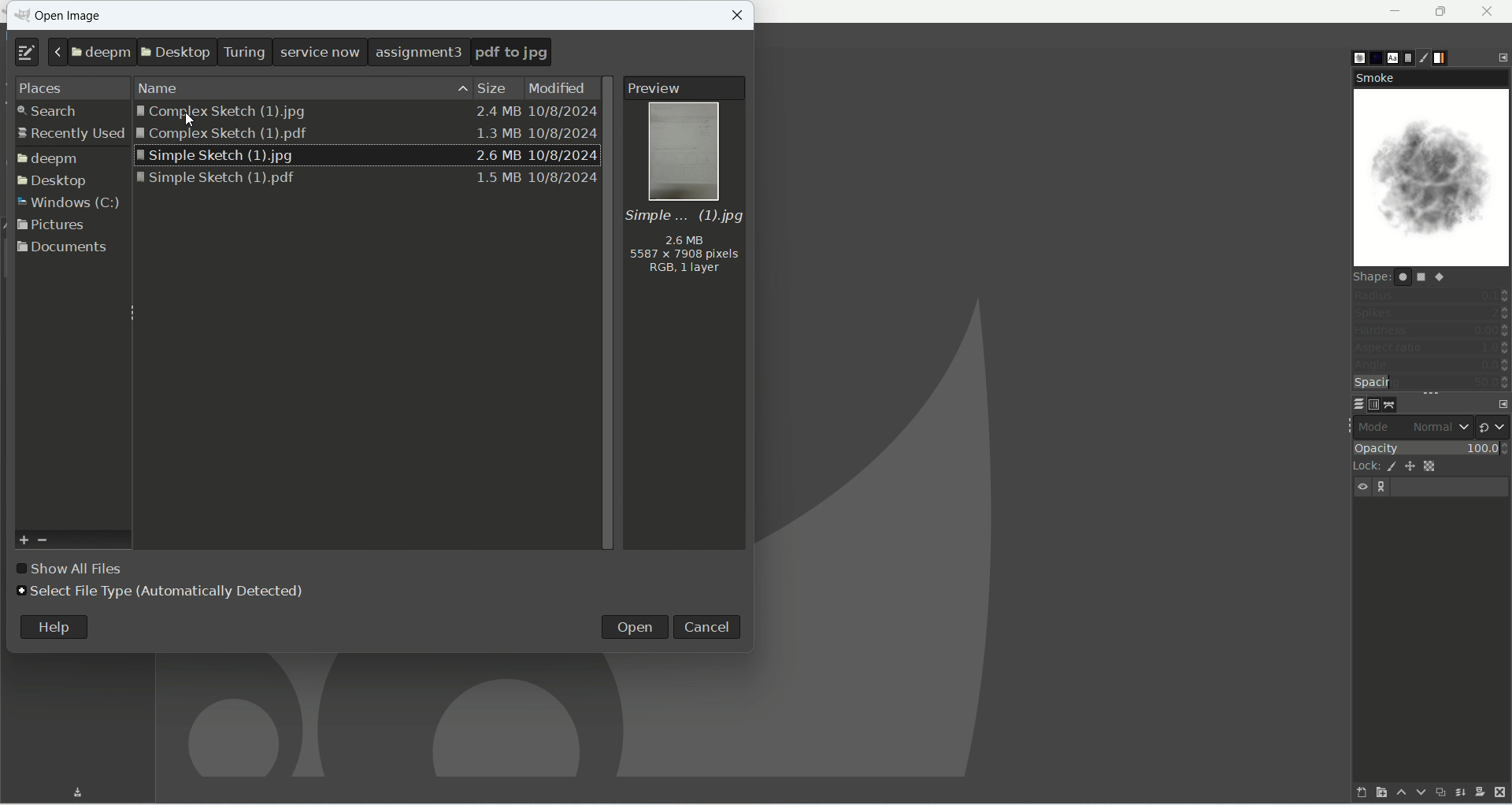  I want to click on smoke, so click(1433, 179).